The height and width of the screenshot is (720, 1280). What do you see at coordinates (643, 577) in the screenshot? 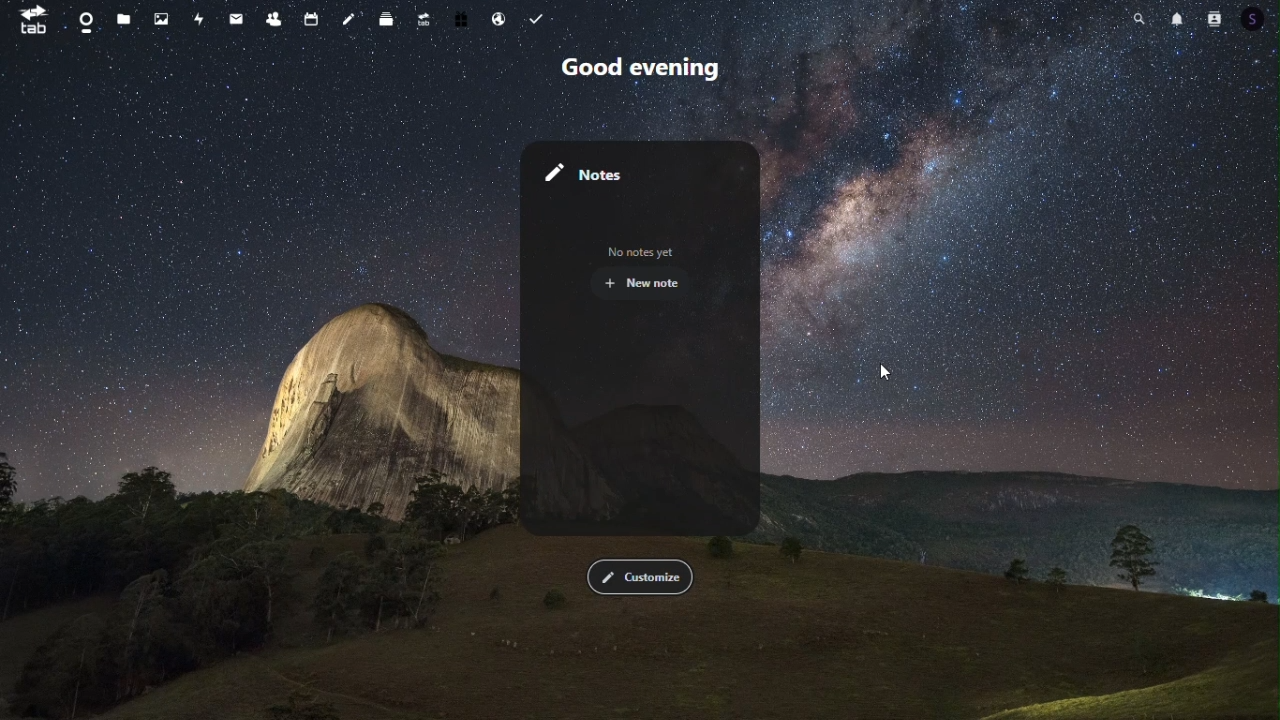
I see `customize` at bounding box center [643, 577].